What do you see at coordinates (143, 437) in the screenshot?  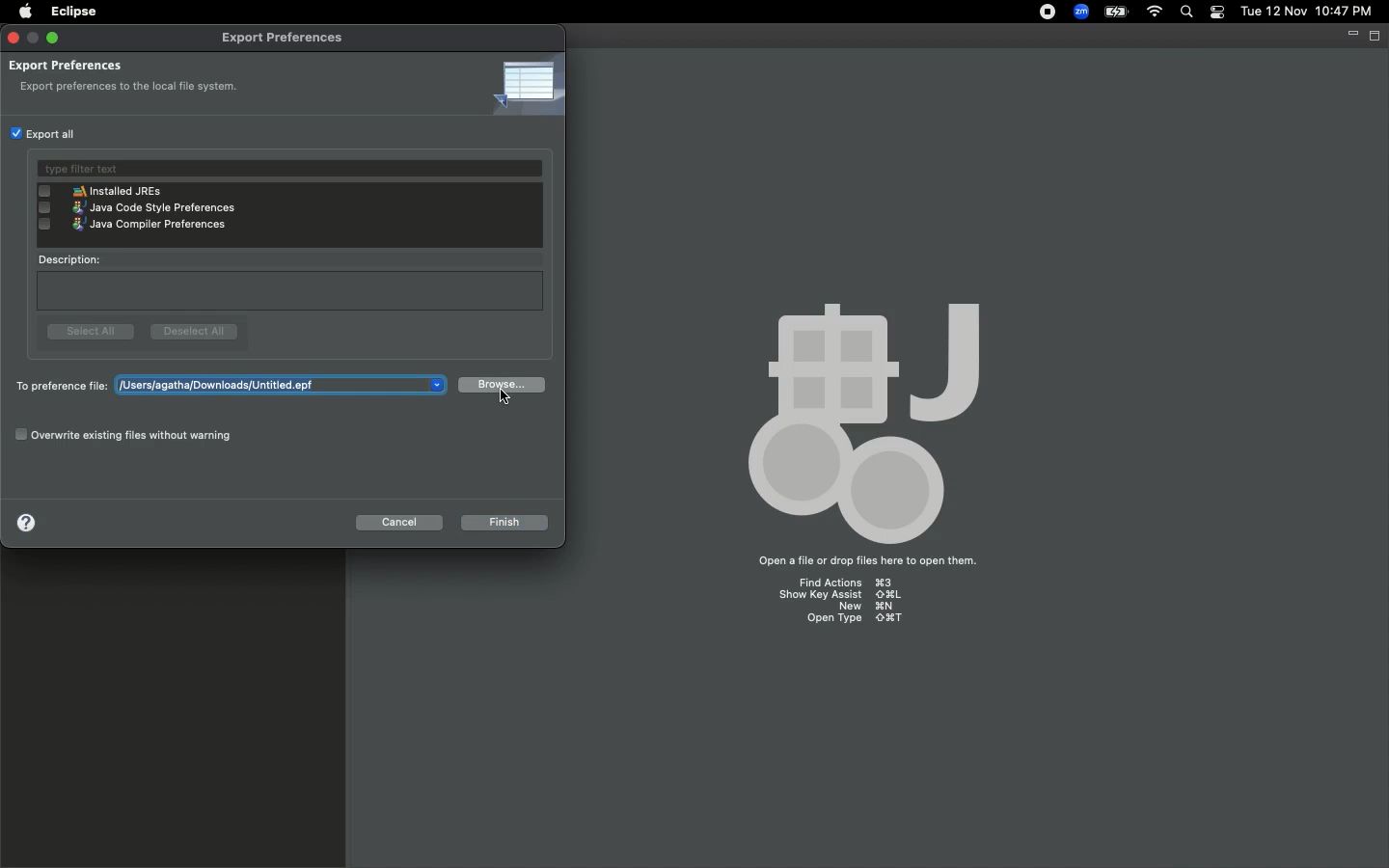 I see `Overwrite existing files without warning` at bounding box center [143, 437].